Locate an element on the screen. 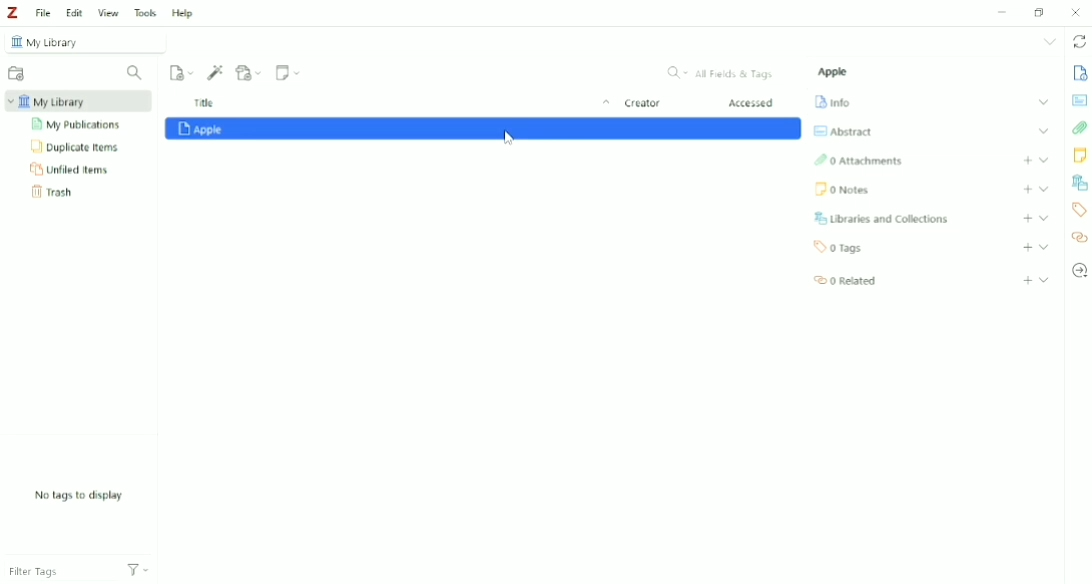 The height and width of the screenshot is (584, 1092). My Publications is located at coordinates (79, 125).